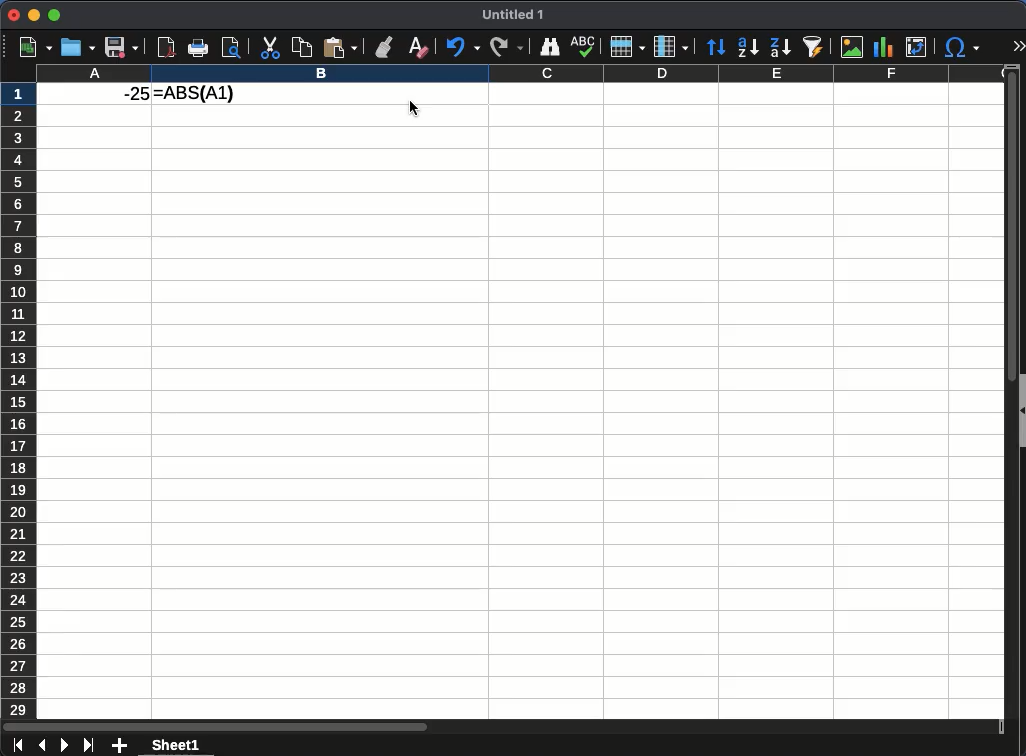 The width and height of the screenshot is (1026, 756). What do you see at coordinates (962, 47) in the screenshot?
I see `special character` at bounding box center [962, 47].